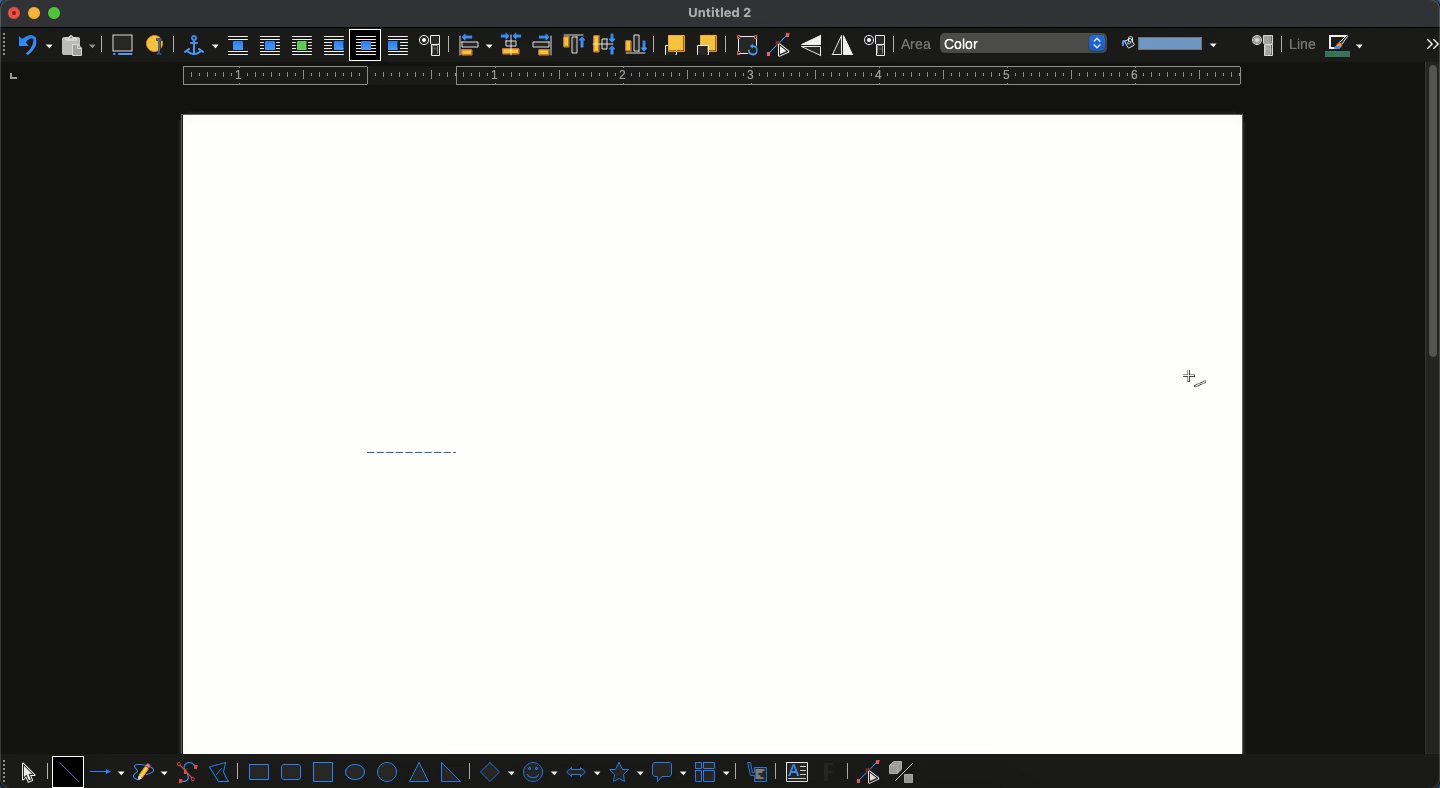 This screenshot has height=788, width=1440. Describe the element at coordinates (414, 449) in the screenshot. I see `dashed` at that location.